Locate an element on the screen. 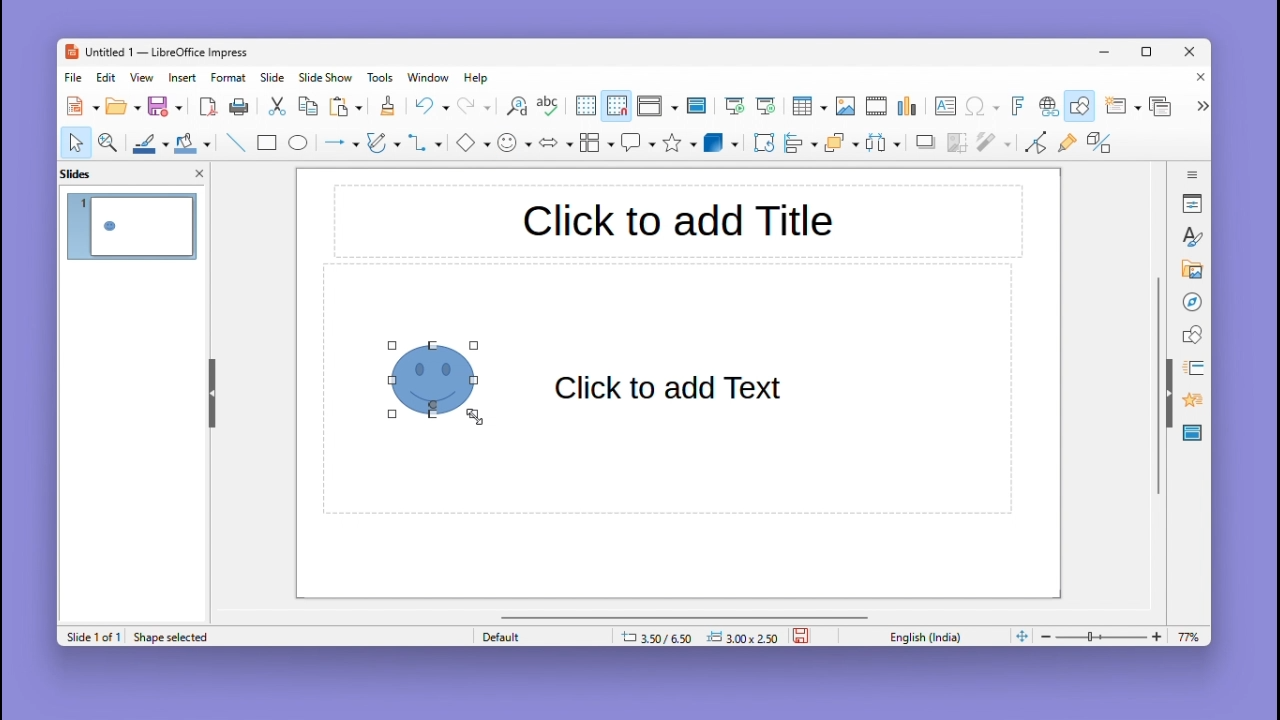  New slide is located at coordinates (1122, 107).